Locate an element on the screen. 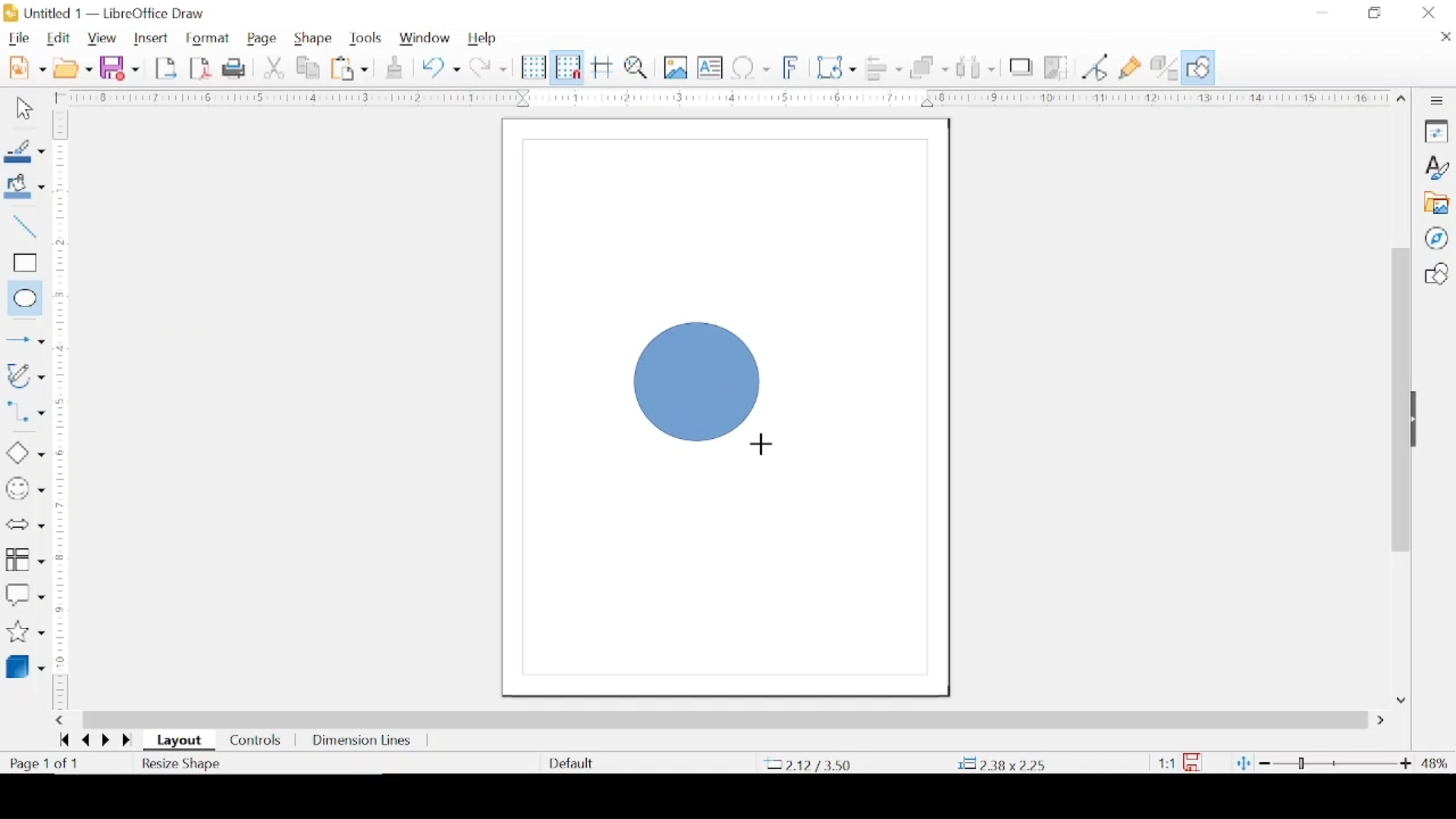 This screenshot has width=1456, height=819. coordinate is located at coordinates (807, 764).